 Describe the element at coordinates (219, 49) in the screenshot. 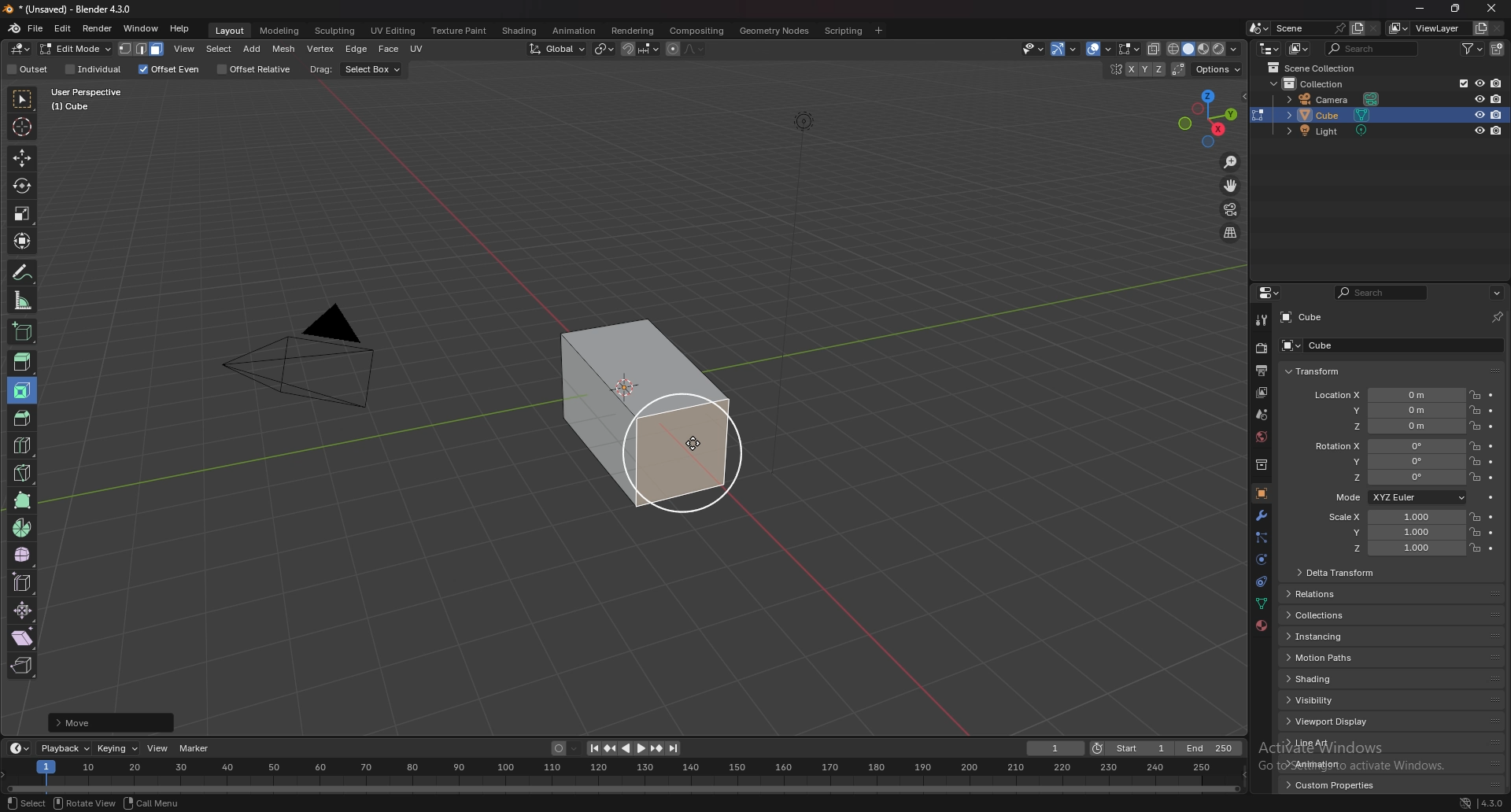

I see `select` at that location.